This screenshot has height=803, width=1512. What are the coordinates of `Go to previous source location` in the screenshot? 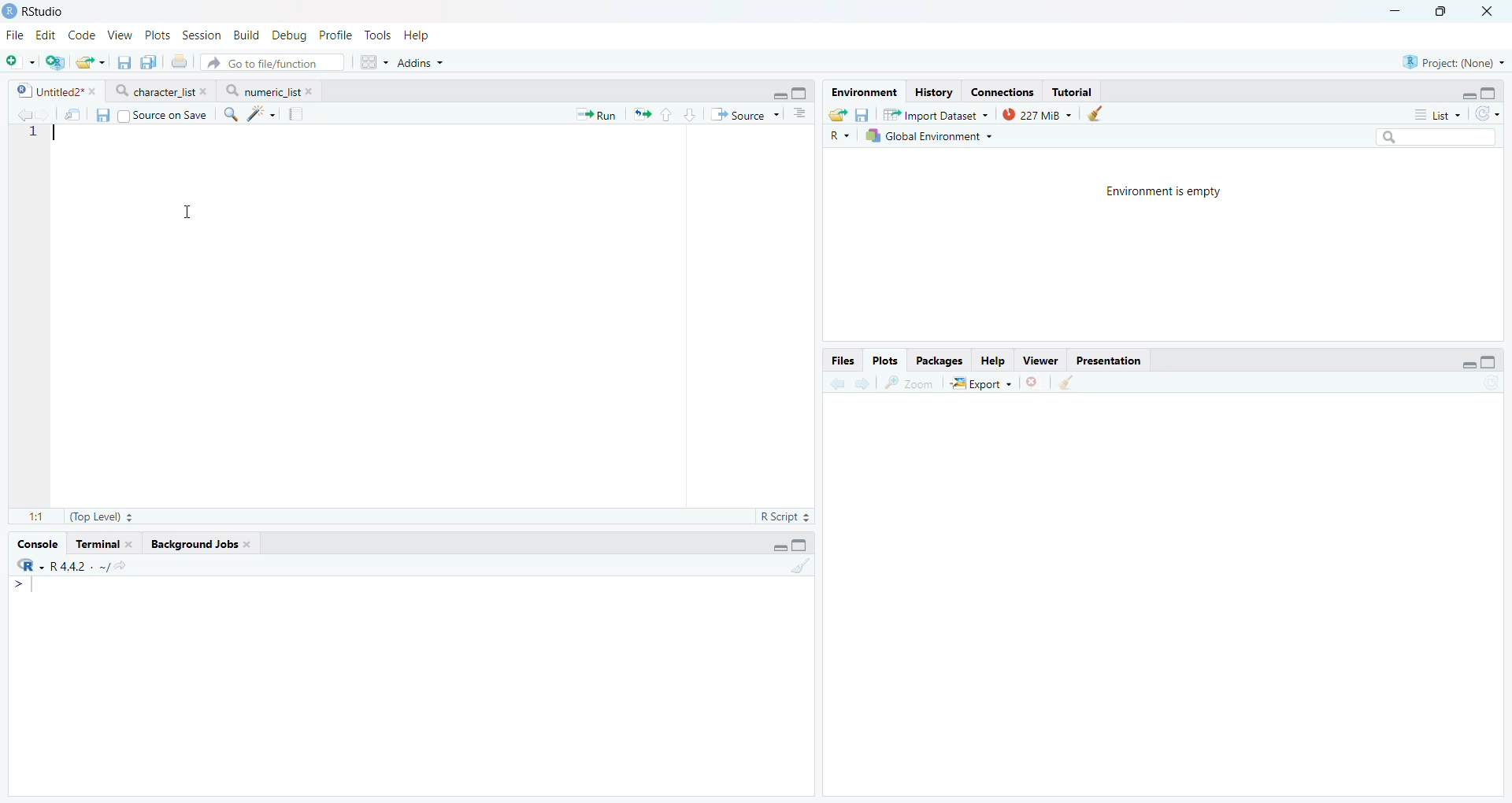 It's located at (23, 115).